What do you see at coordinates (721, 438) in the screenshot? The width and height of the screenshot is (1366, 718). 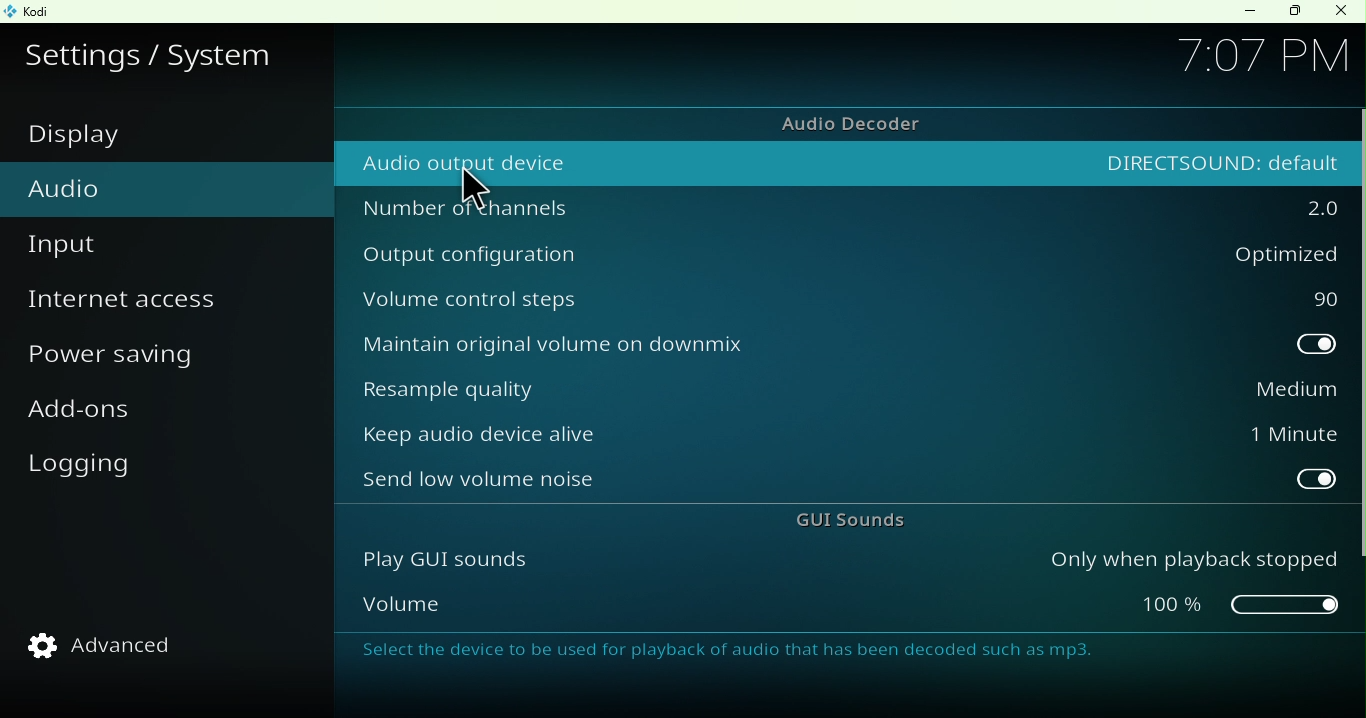 I see `Keep audio device alive` at bounding box center [721, 438].